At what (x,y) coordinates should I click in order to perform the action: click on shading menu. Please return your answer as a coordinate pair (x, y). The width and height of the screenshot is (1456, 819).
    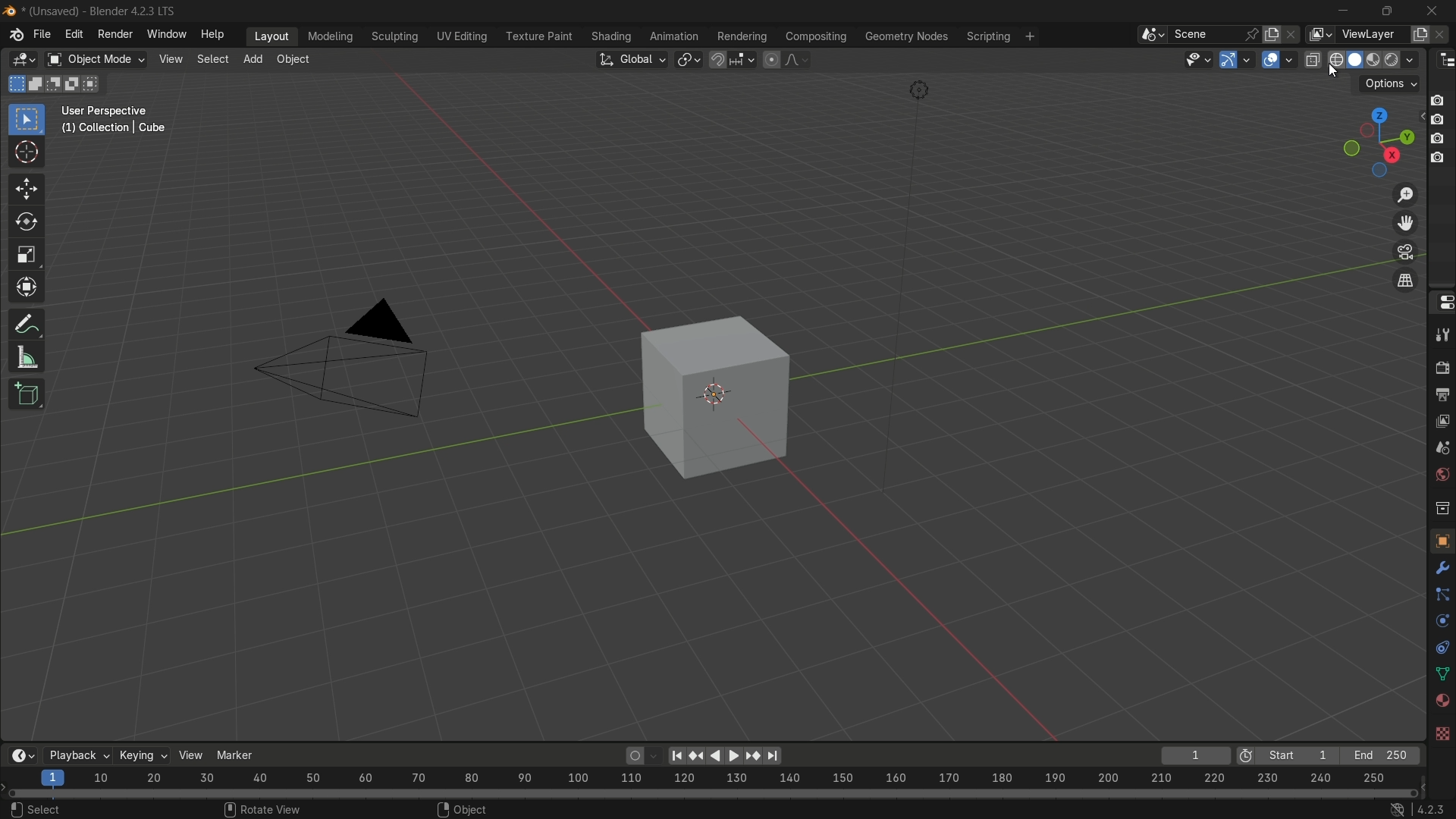
    Looking at the image, I should click on (607, 35).